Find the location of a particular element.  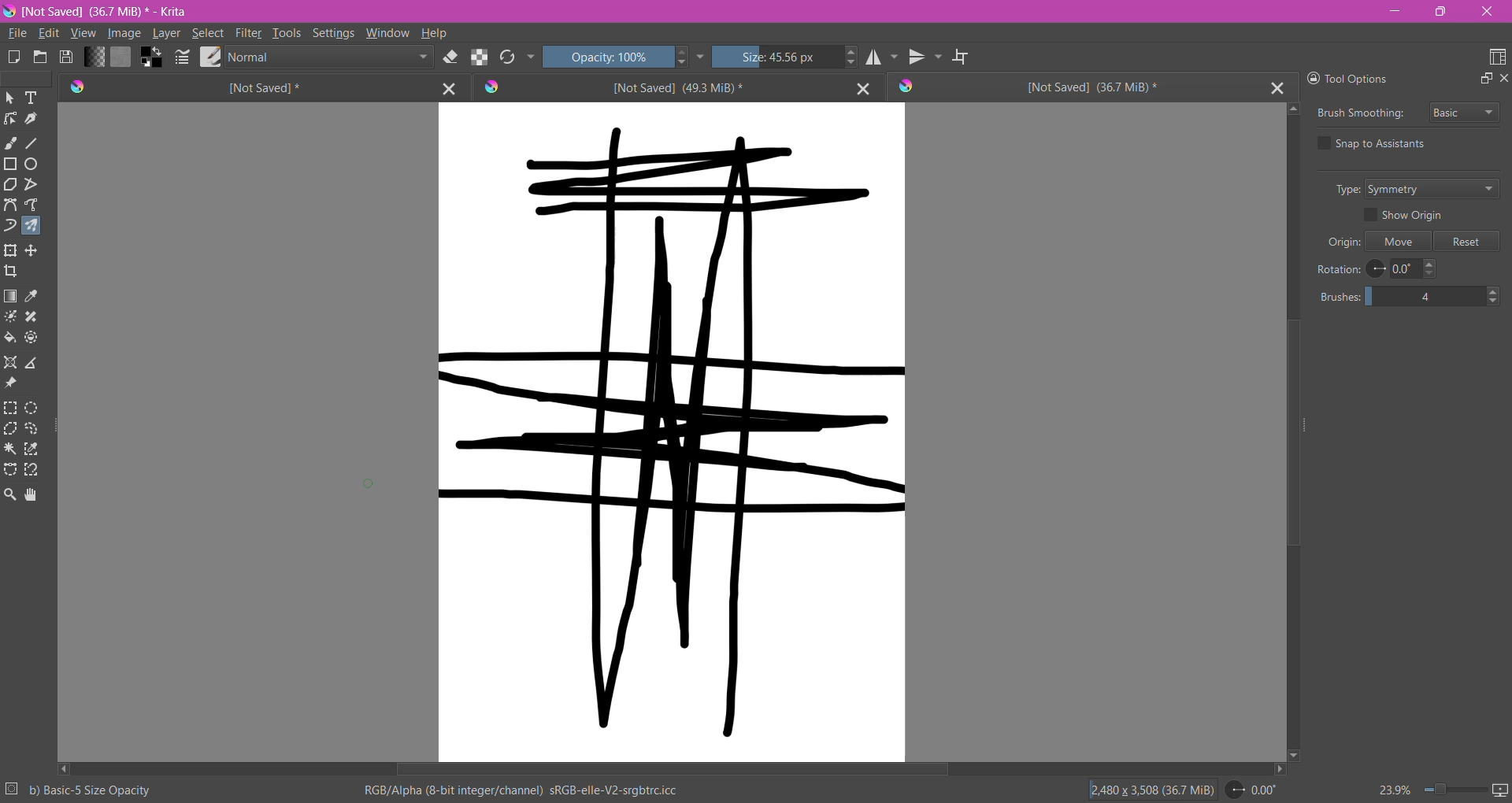

Contiguous Selection Tool is located at coordinates (12, 450).